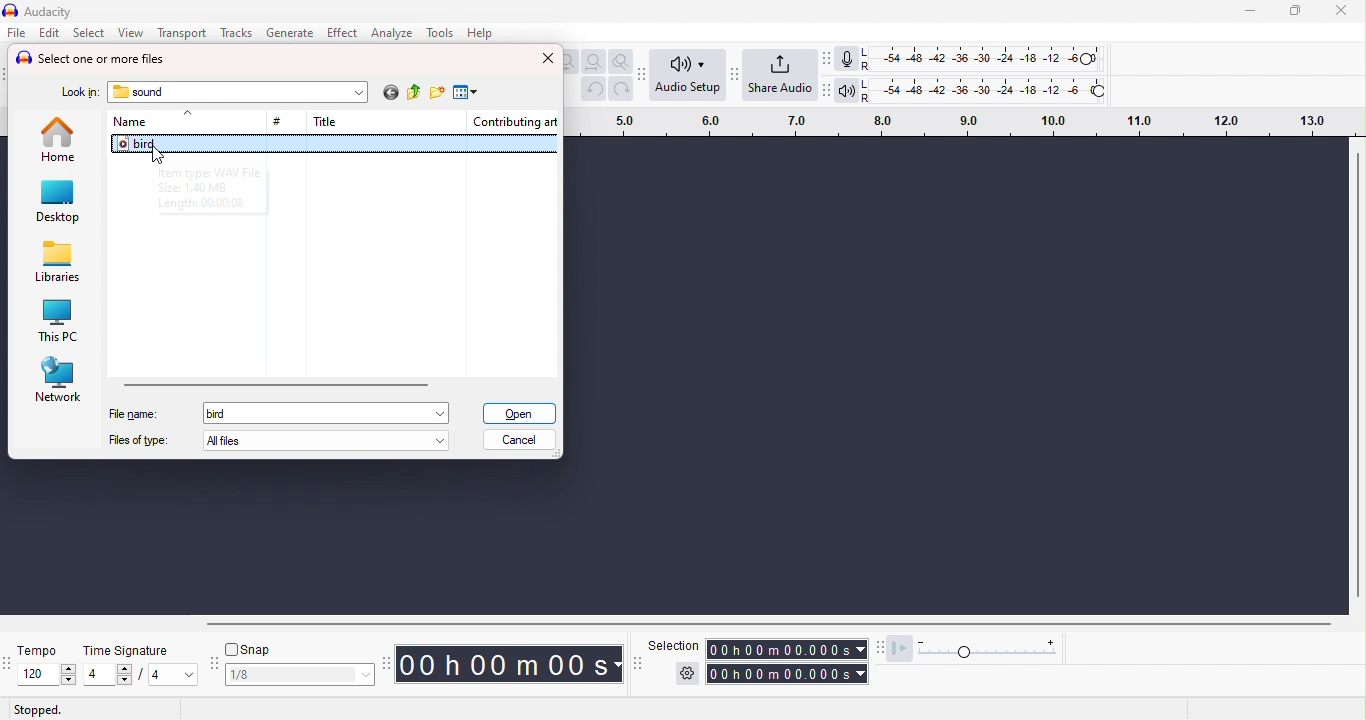 The image size is (1366, 720). What do you see at coordinates (331, 440) in the screenshot?
I see `all files` at bounding box center [331, 440].